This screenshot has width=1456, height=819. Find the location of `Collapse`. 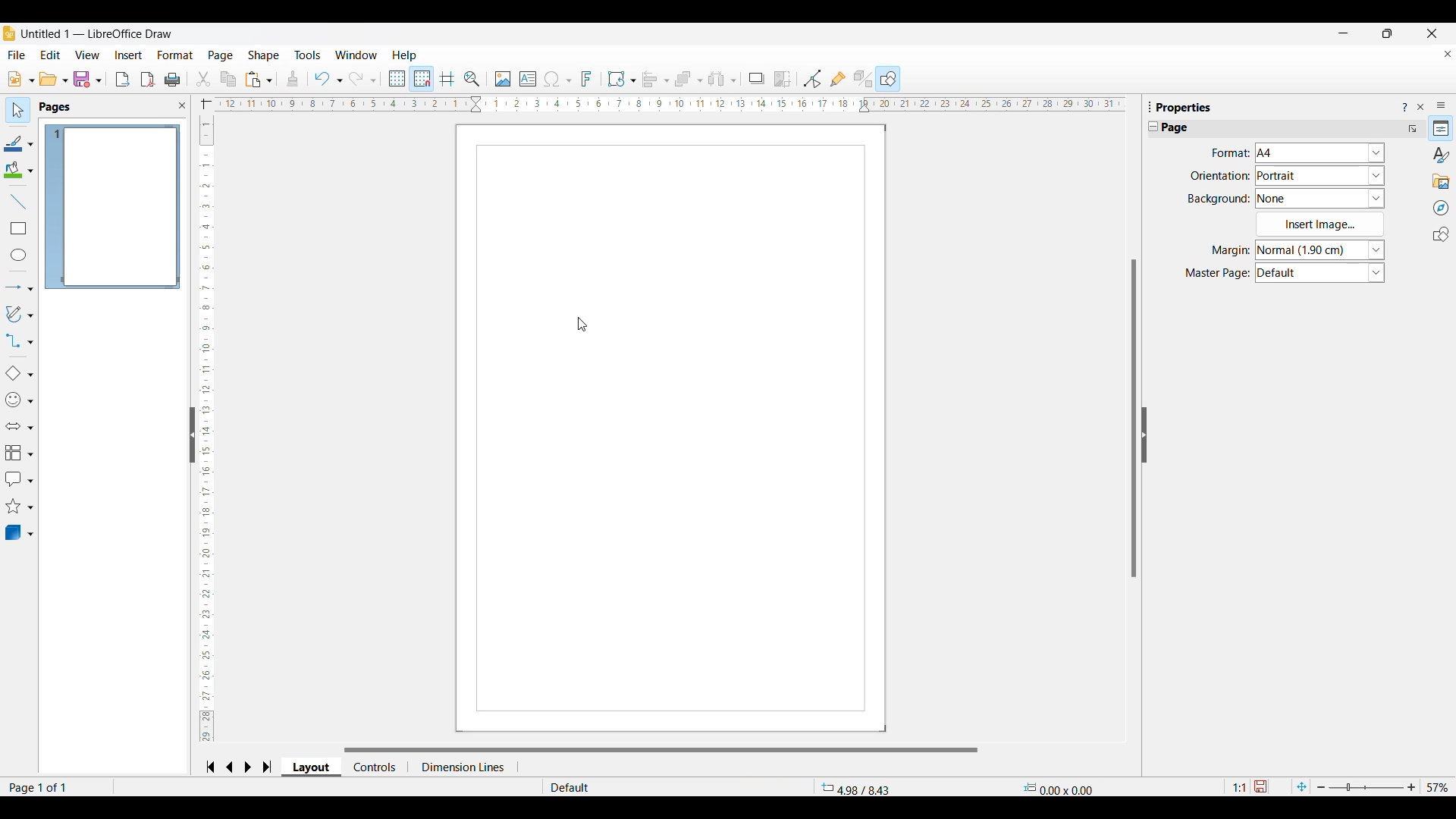

Collapse is located at coordinates (1153, 126).